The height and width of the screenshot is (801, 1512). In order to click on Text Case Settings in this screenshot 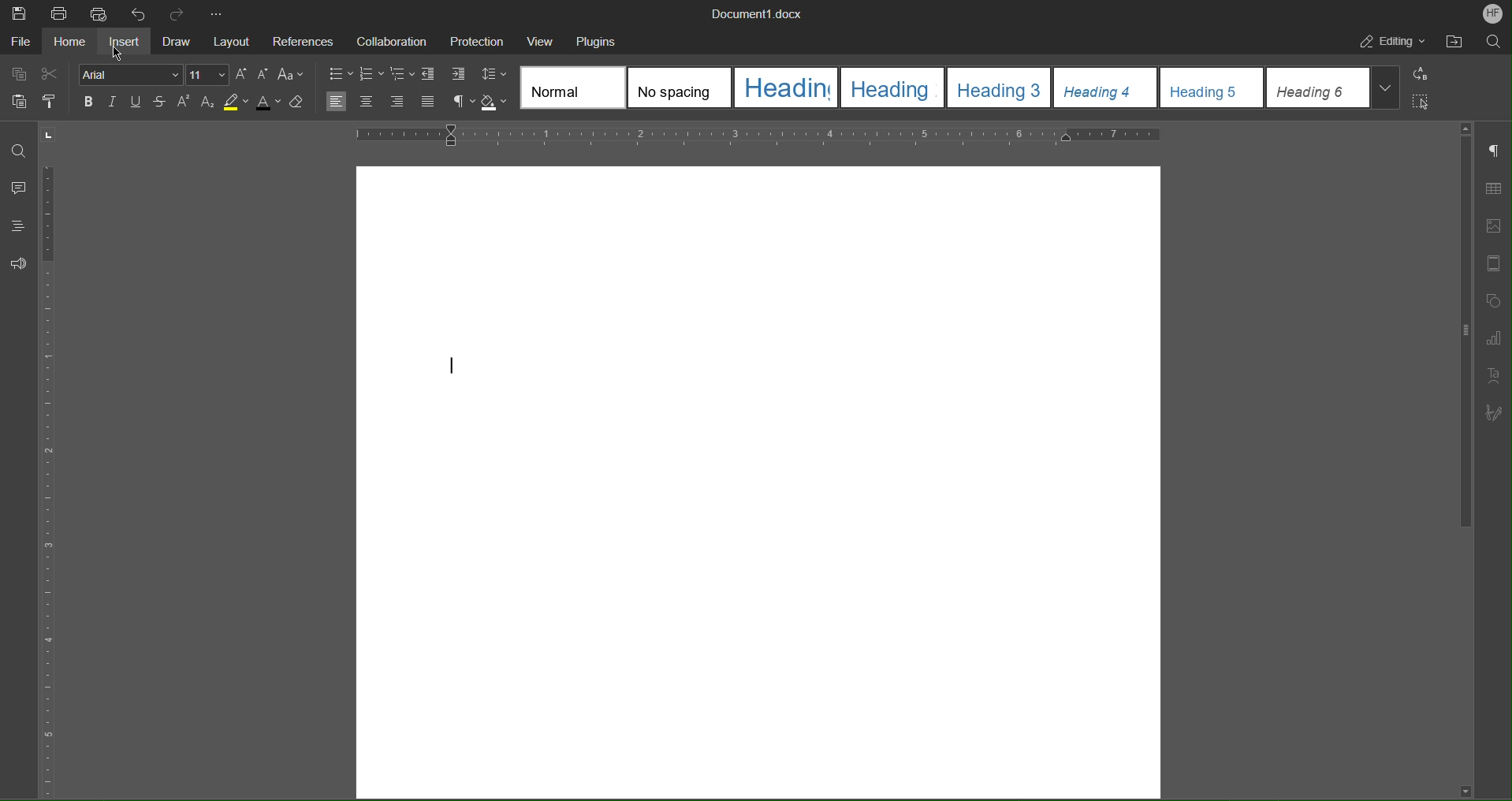, I will do `click(292, 75)`.